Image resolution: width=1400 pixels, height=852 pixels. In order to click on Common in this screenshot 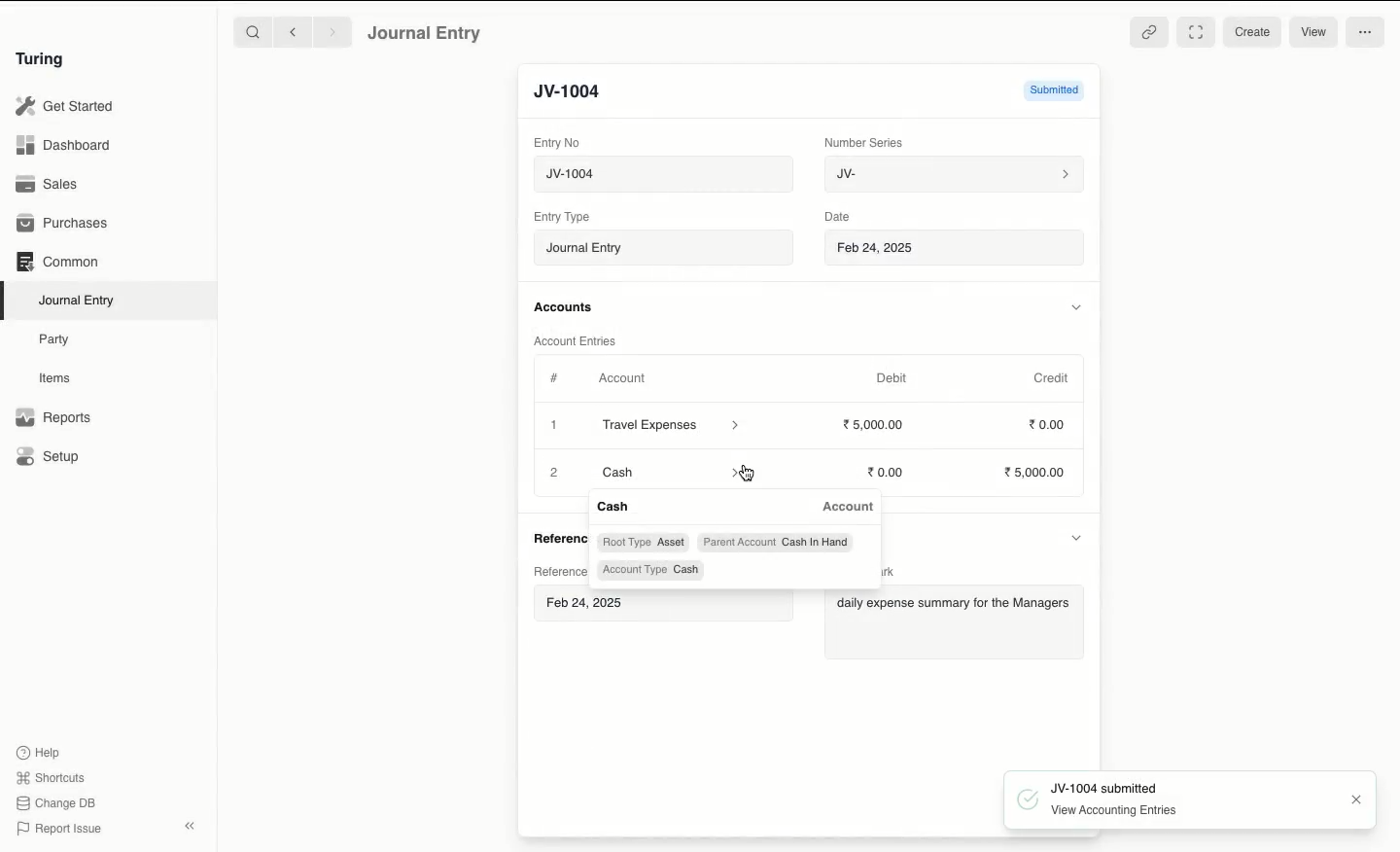, I will do `click(59, 262)`.